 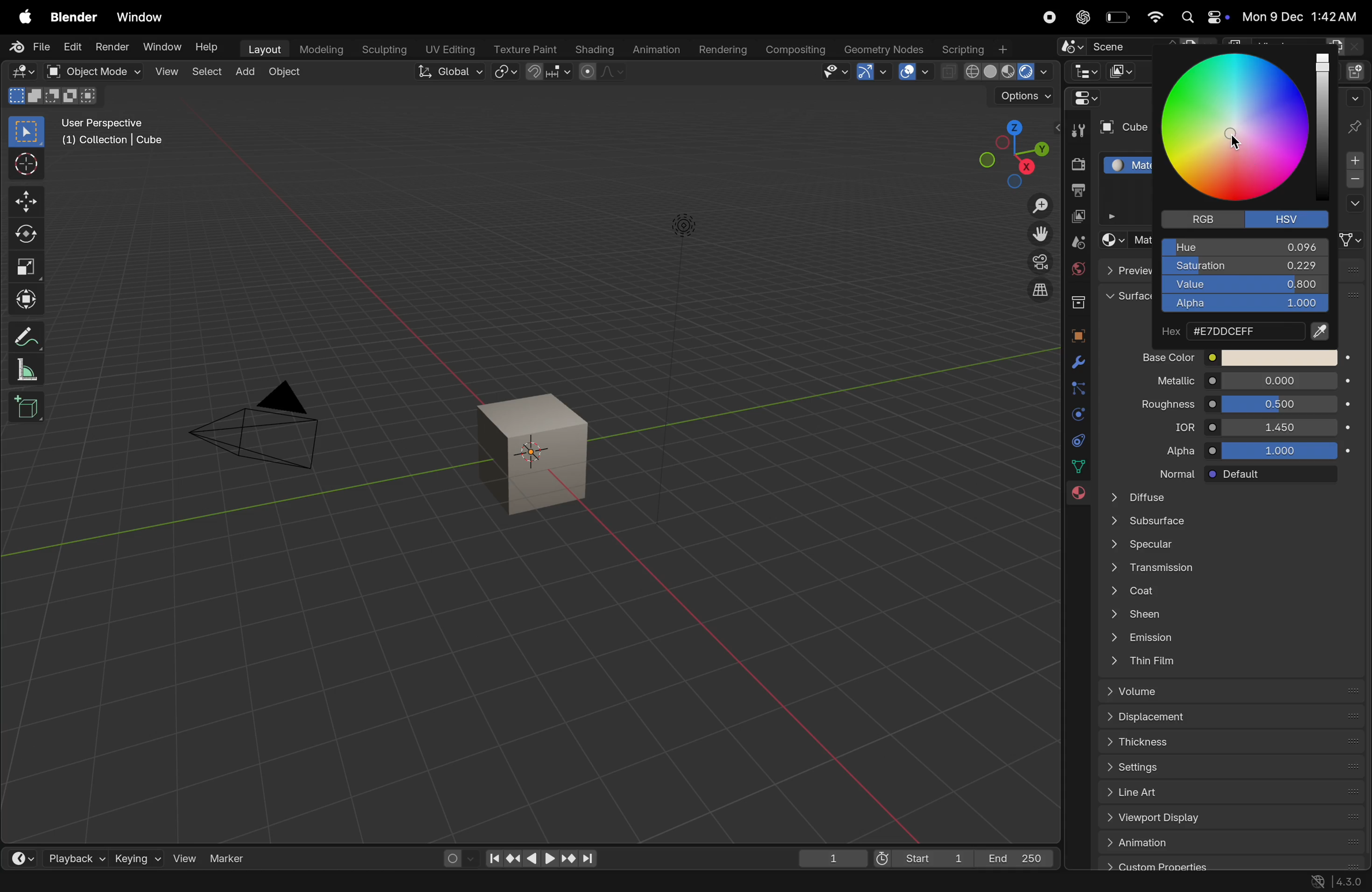 I want to click on 1.000, so click(x=1284, y=451).